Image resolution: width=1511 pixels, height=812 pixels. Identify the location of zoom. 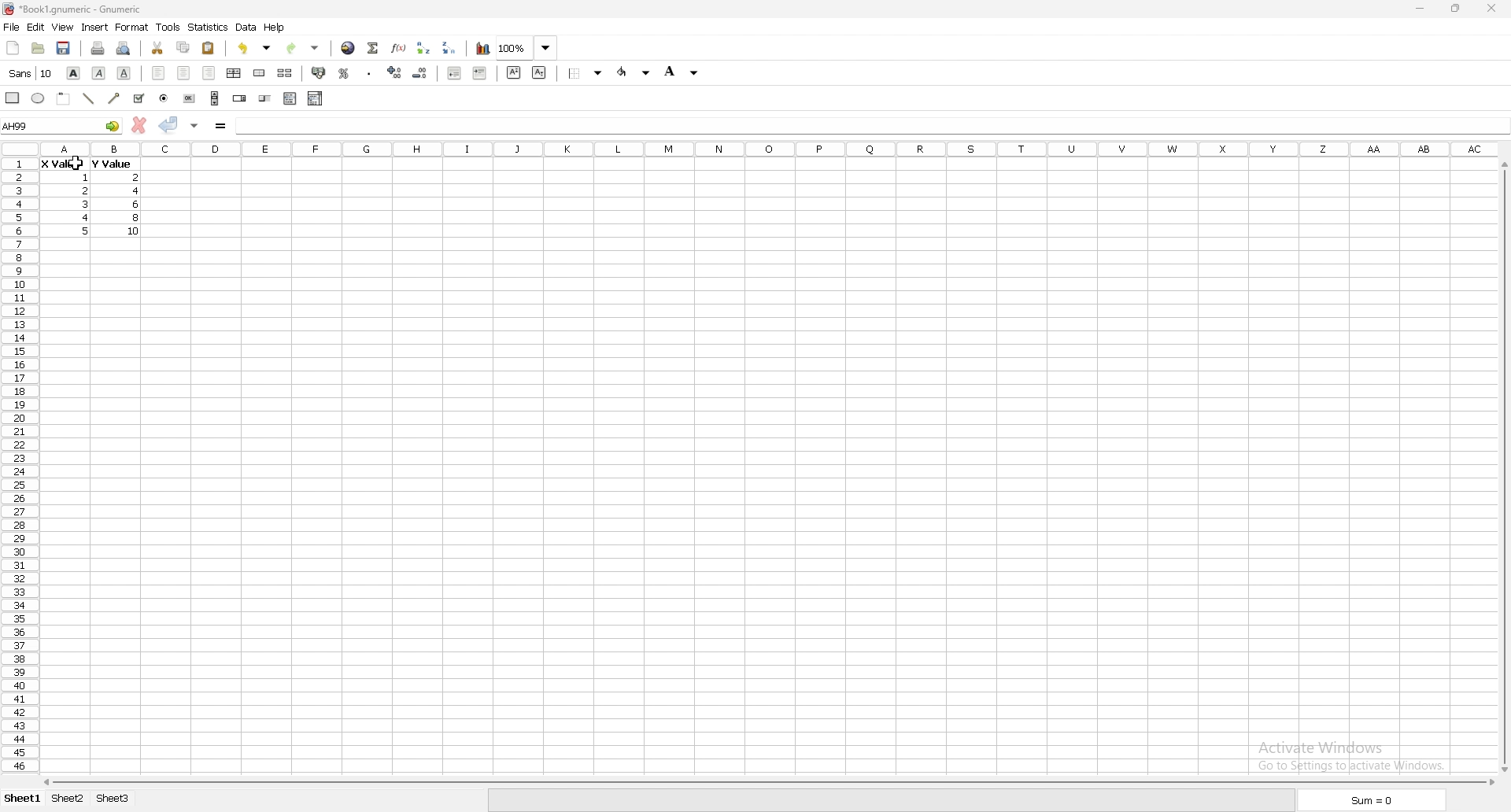
(526, 47).